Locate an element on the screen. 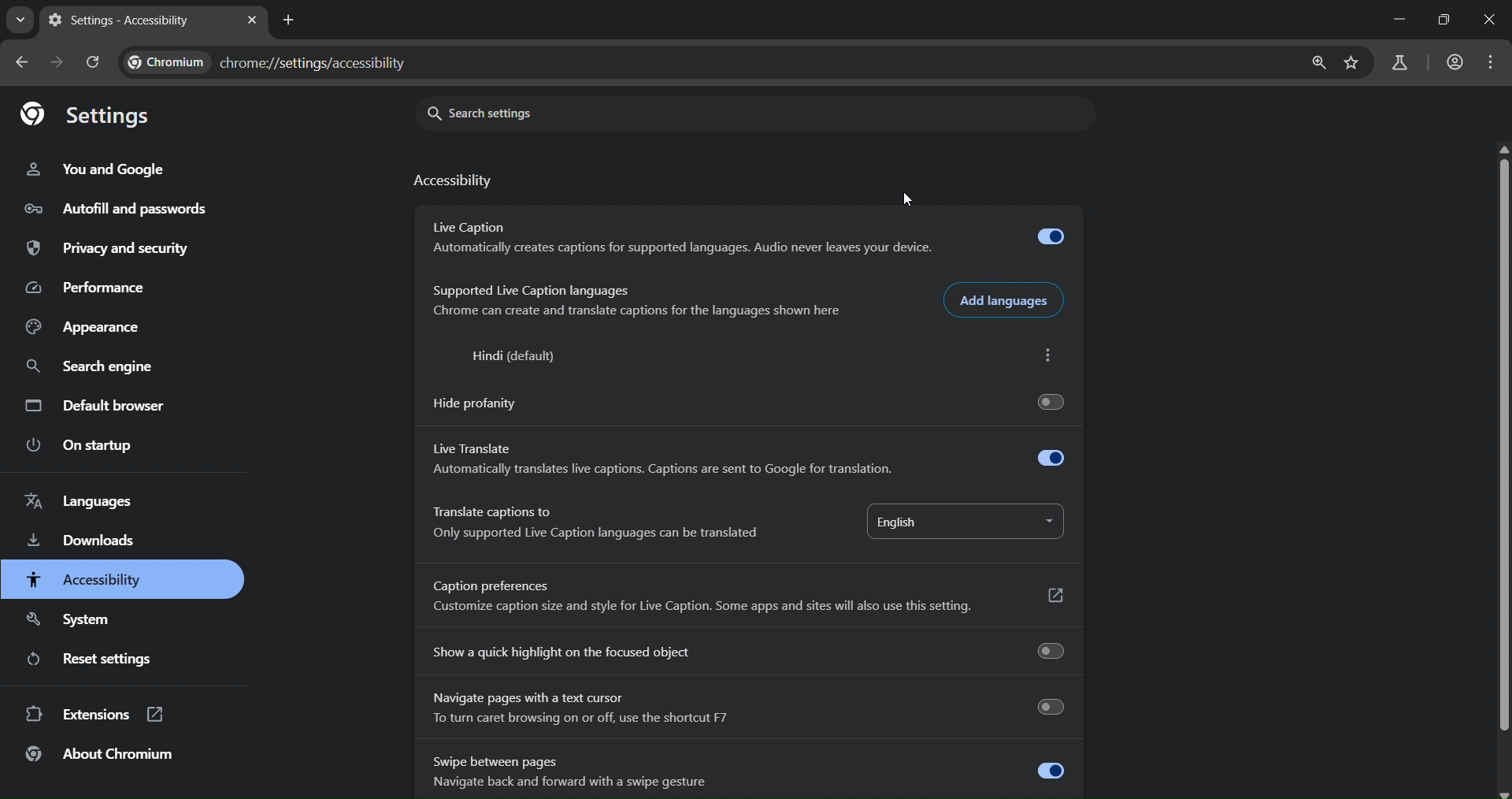 This screenshot has height=799, width=1512. settings is located at coordinates (88, 115).